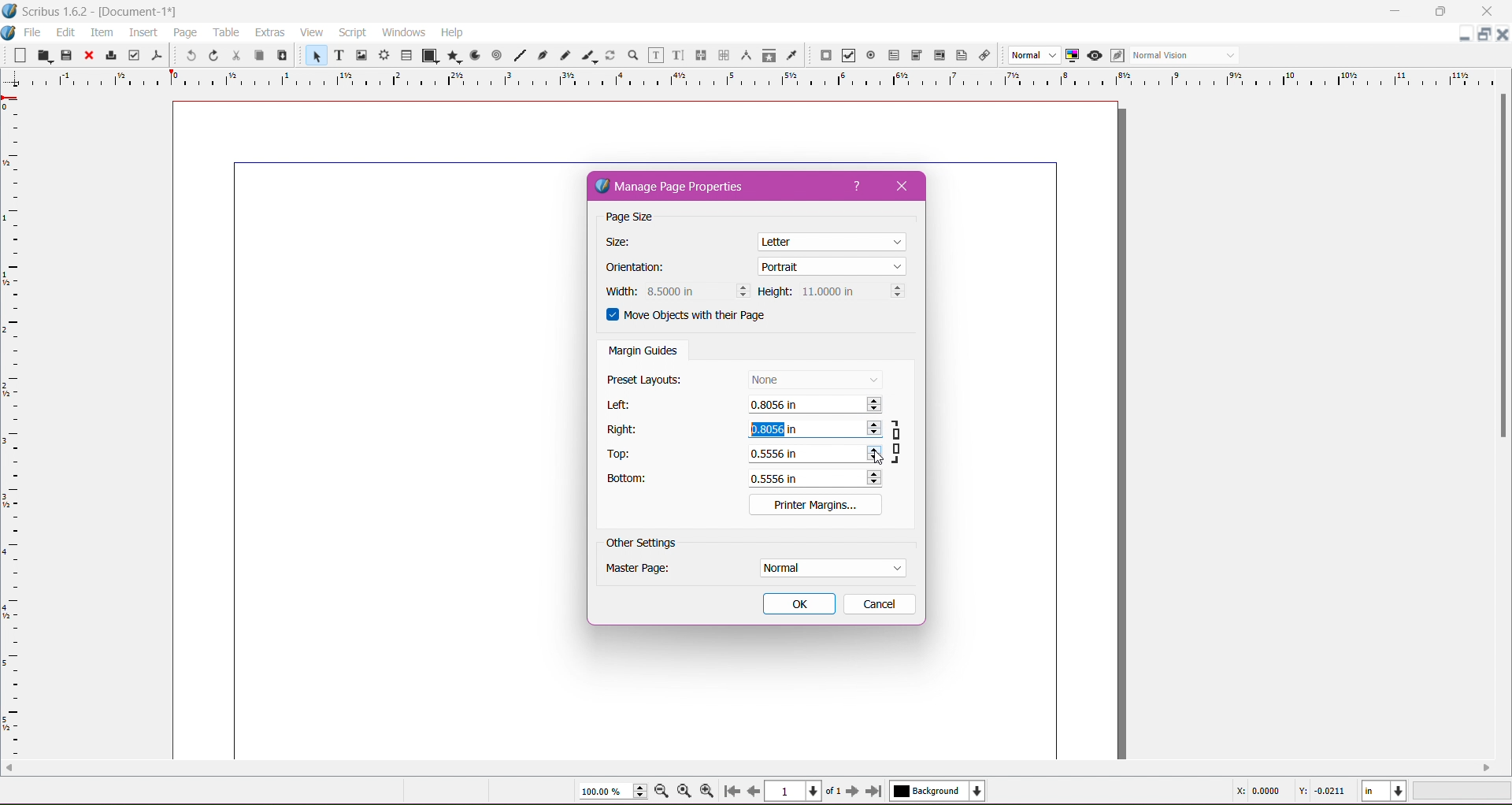  I want to click on Preview mode, so click(1095, 56).